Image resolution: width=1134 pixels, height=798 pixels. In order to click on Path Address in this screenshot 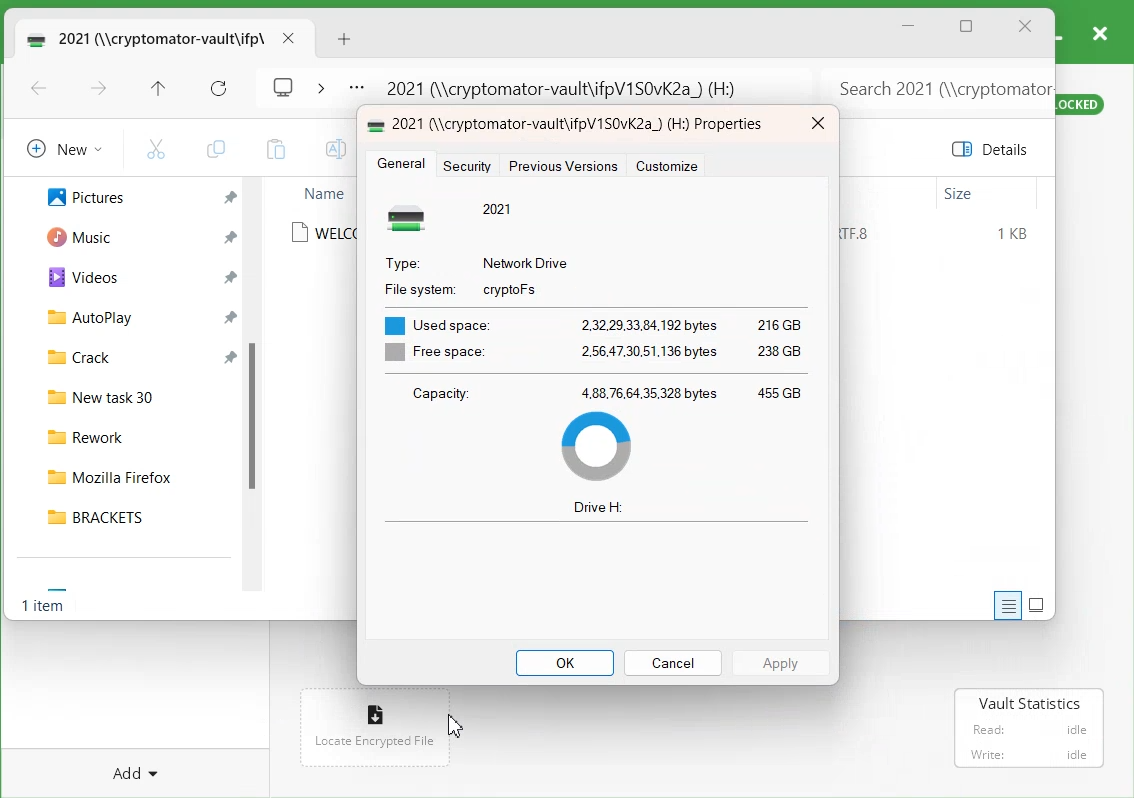, I will do `click(568, 84)`.